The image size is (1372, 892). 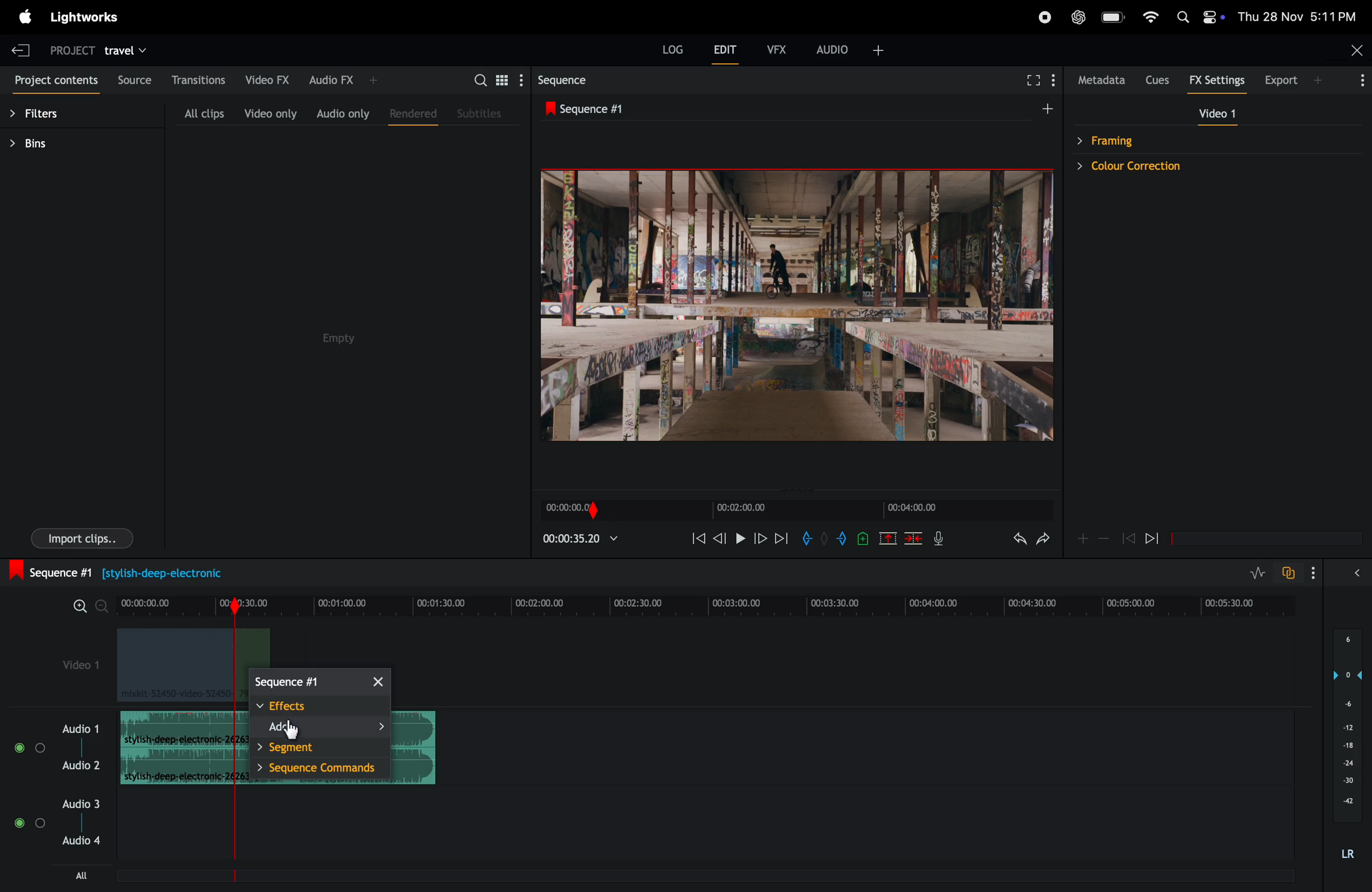 I want to click on rewind, so click(x=1128, y=539).